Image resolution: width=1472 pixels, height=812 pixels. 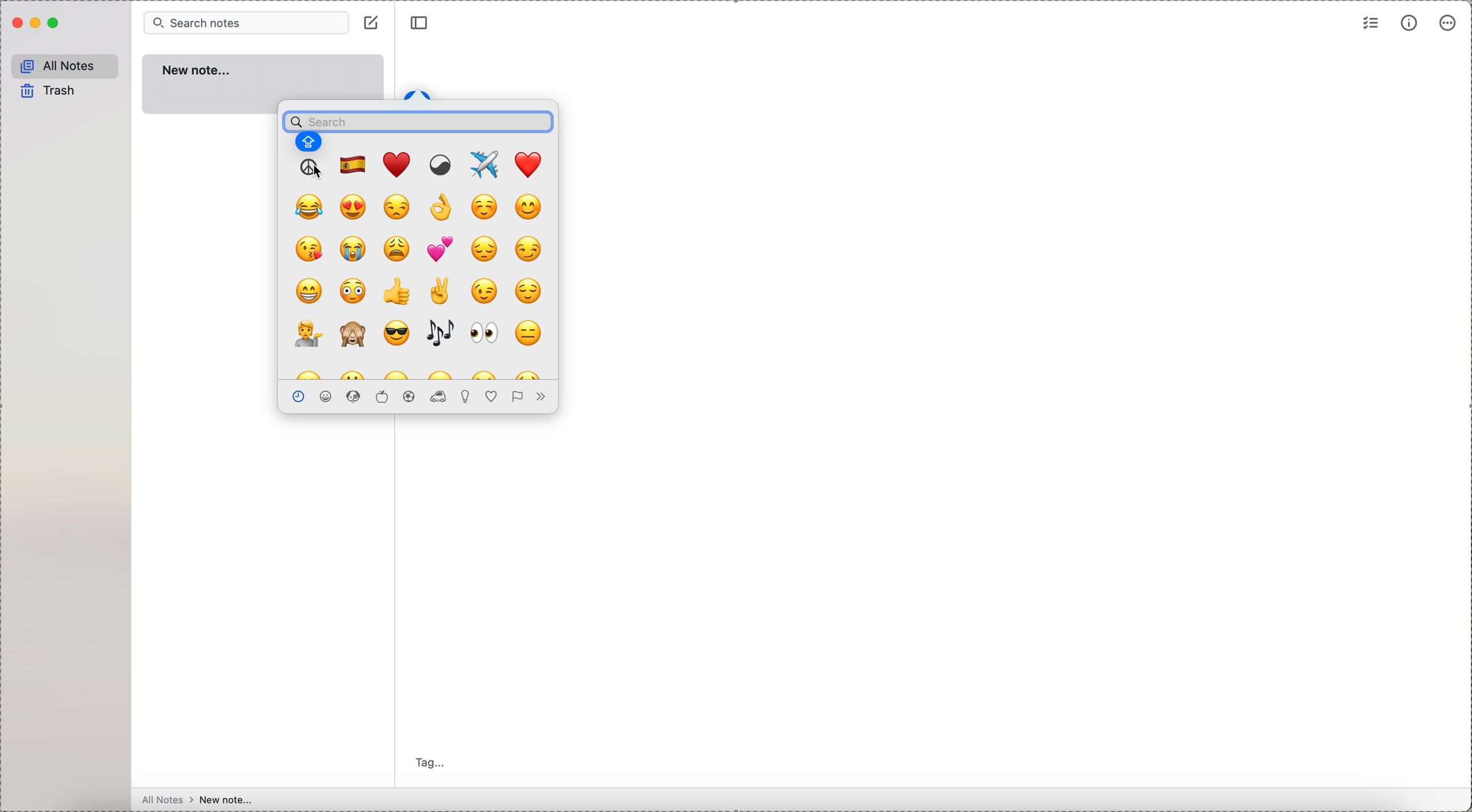 I want to click on more symbols, so click(x=538, y=397).